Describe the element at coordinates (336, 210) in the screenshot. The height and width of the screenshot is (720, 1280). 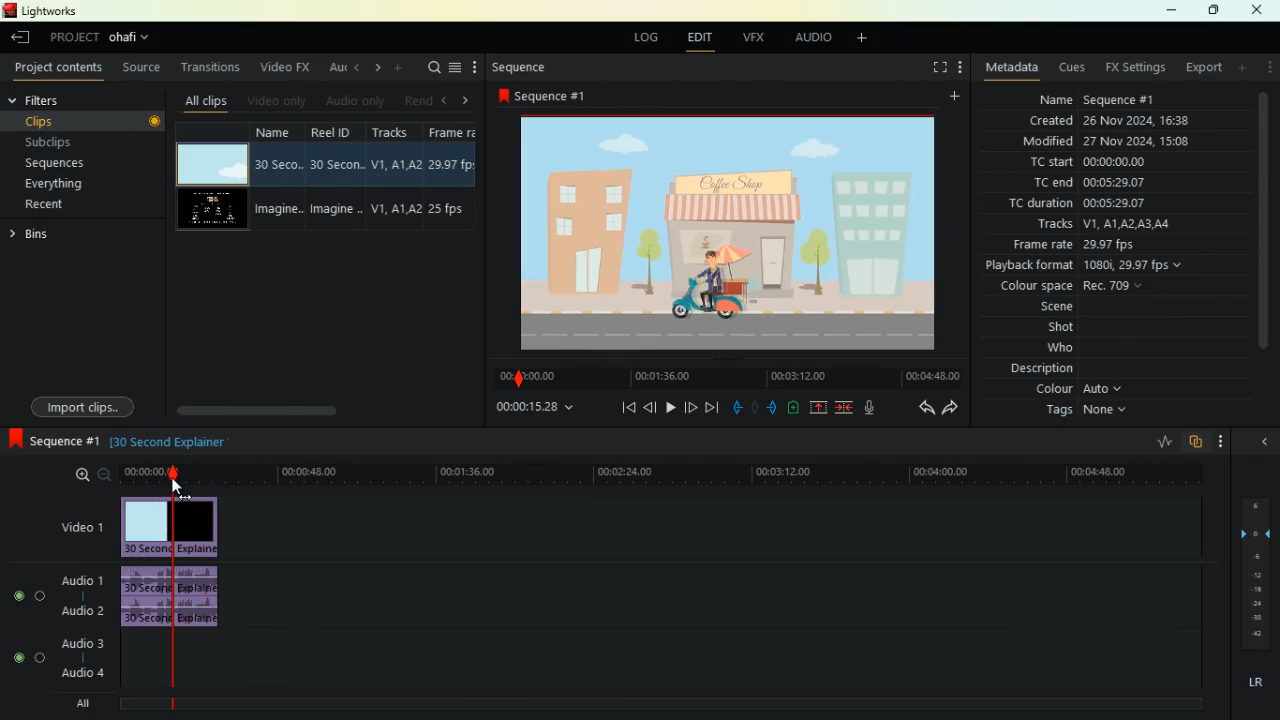
I see `imagine..` at that location.